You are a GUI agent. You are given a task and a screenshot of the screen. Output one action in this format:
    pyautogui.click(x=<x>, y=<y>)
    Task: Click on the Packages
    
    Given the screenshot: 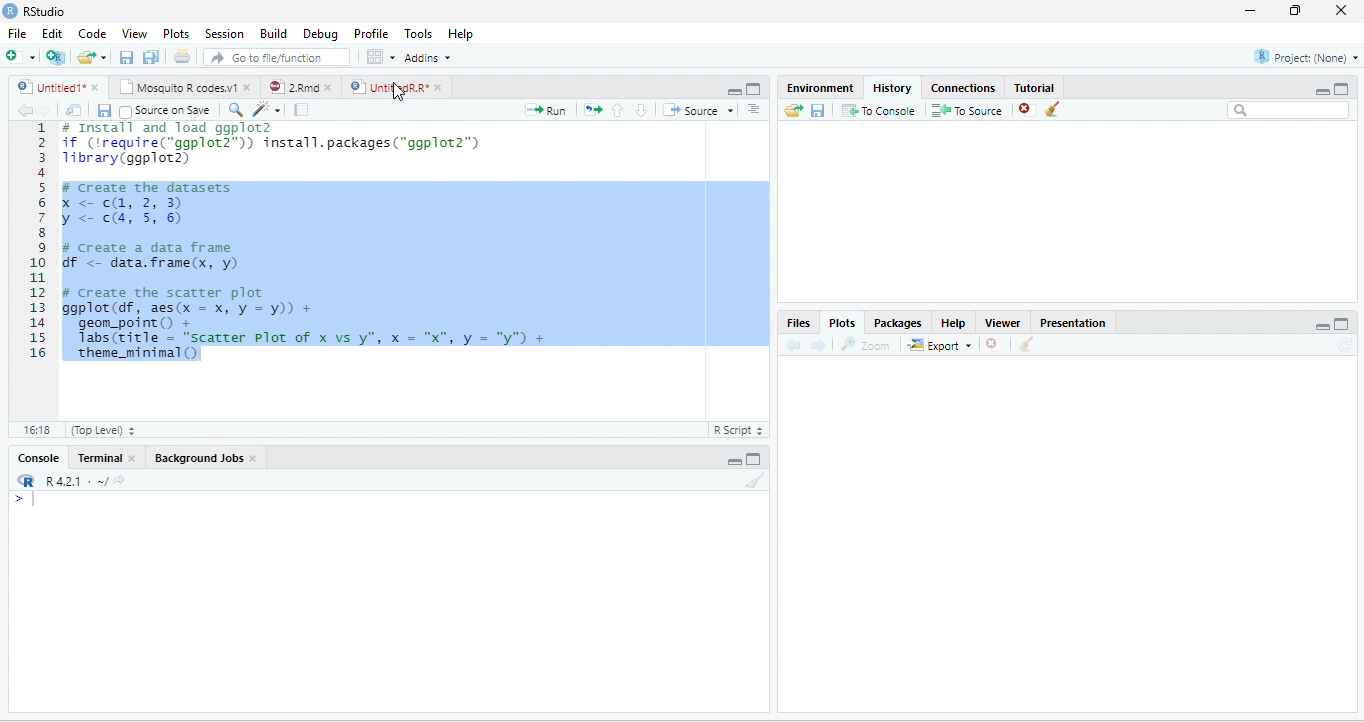 What is the action you would take?
    pyautogui.click(x=896, y=322)
    